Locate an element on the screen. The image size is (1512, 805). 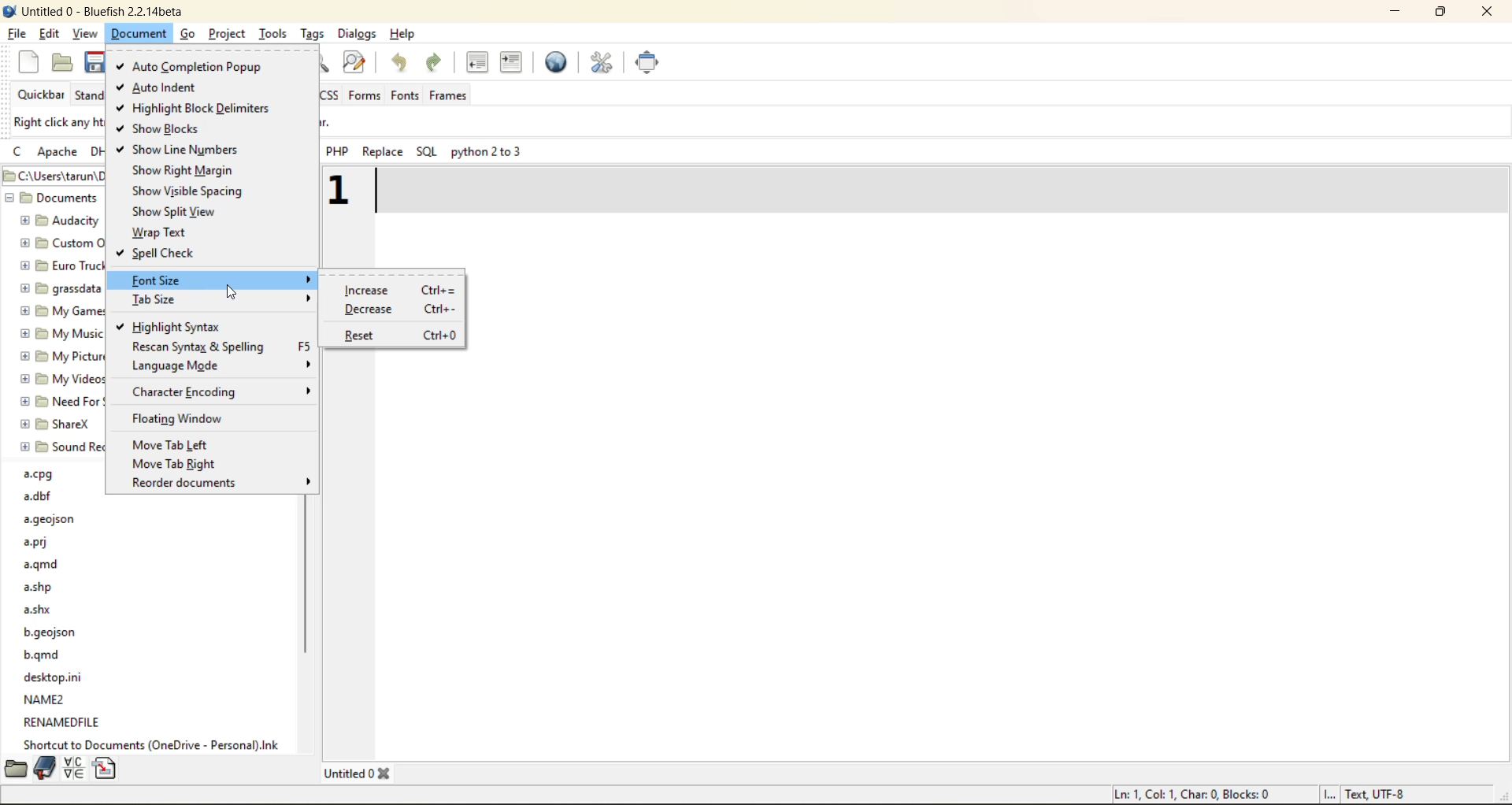
spell check is located at coordinates (161, 254).